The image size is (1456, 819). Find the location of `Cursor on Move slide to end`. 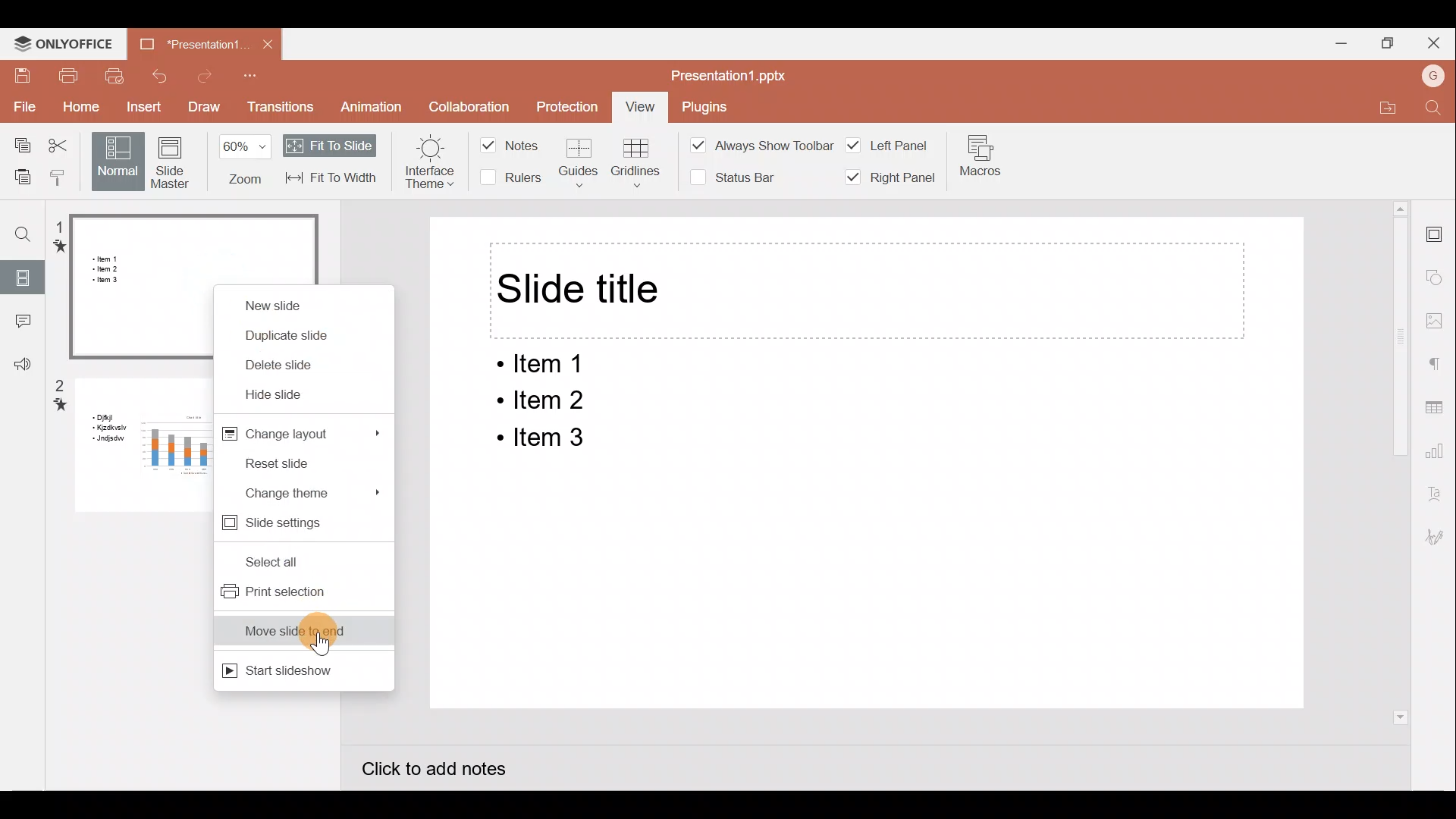

Cursor on Move slide to end is located at coordinates (320, 648).